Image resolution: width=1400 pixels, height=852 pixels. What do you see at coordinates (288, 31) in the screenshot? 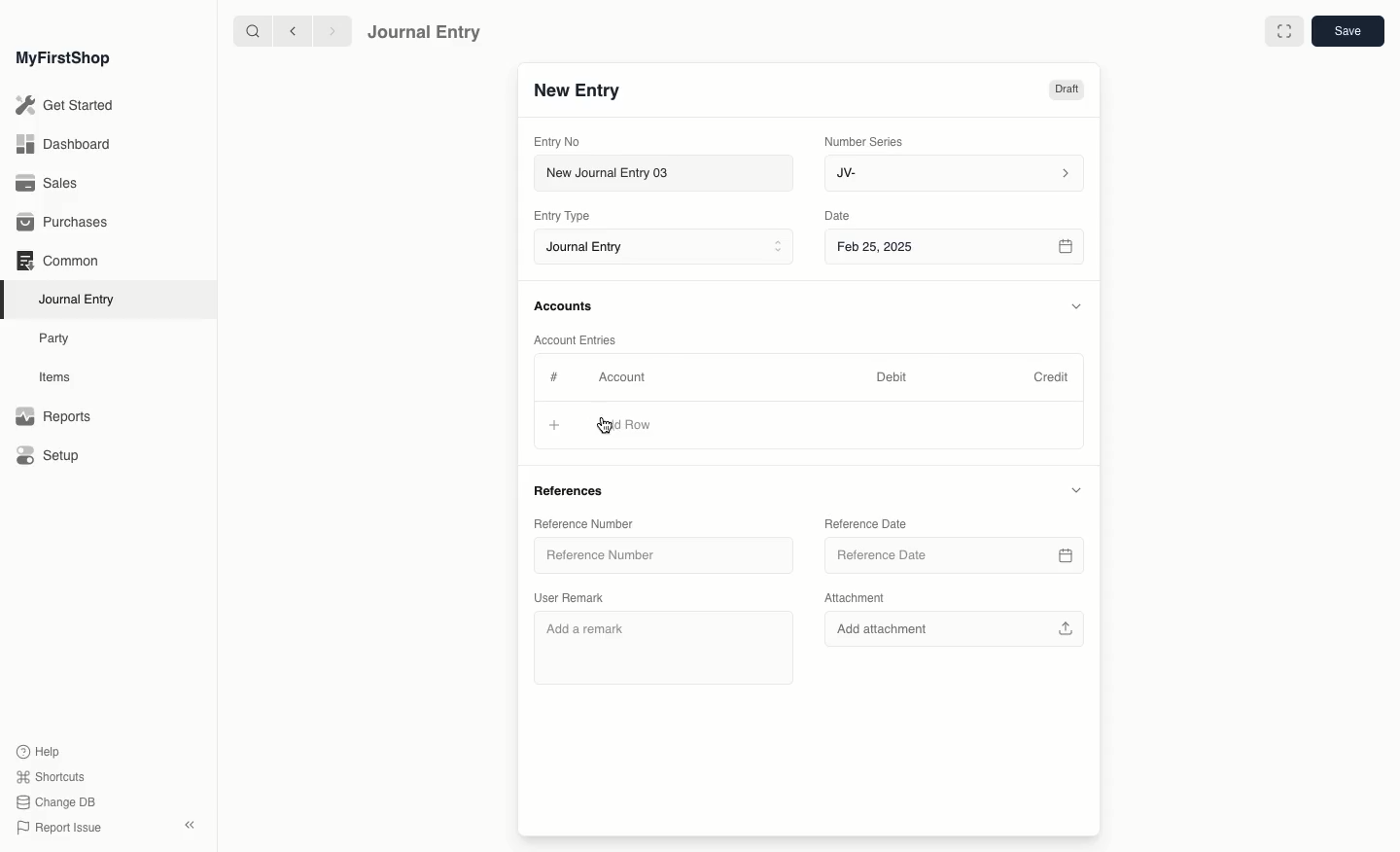
I see `backward <` at bounding box center [288, 31].